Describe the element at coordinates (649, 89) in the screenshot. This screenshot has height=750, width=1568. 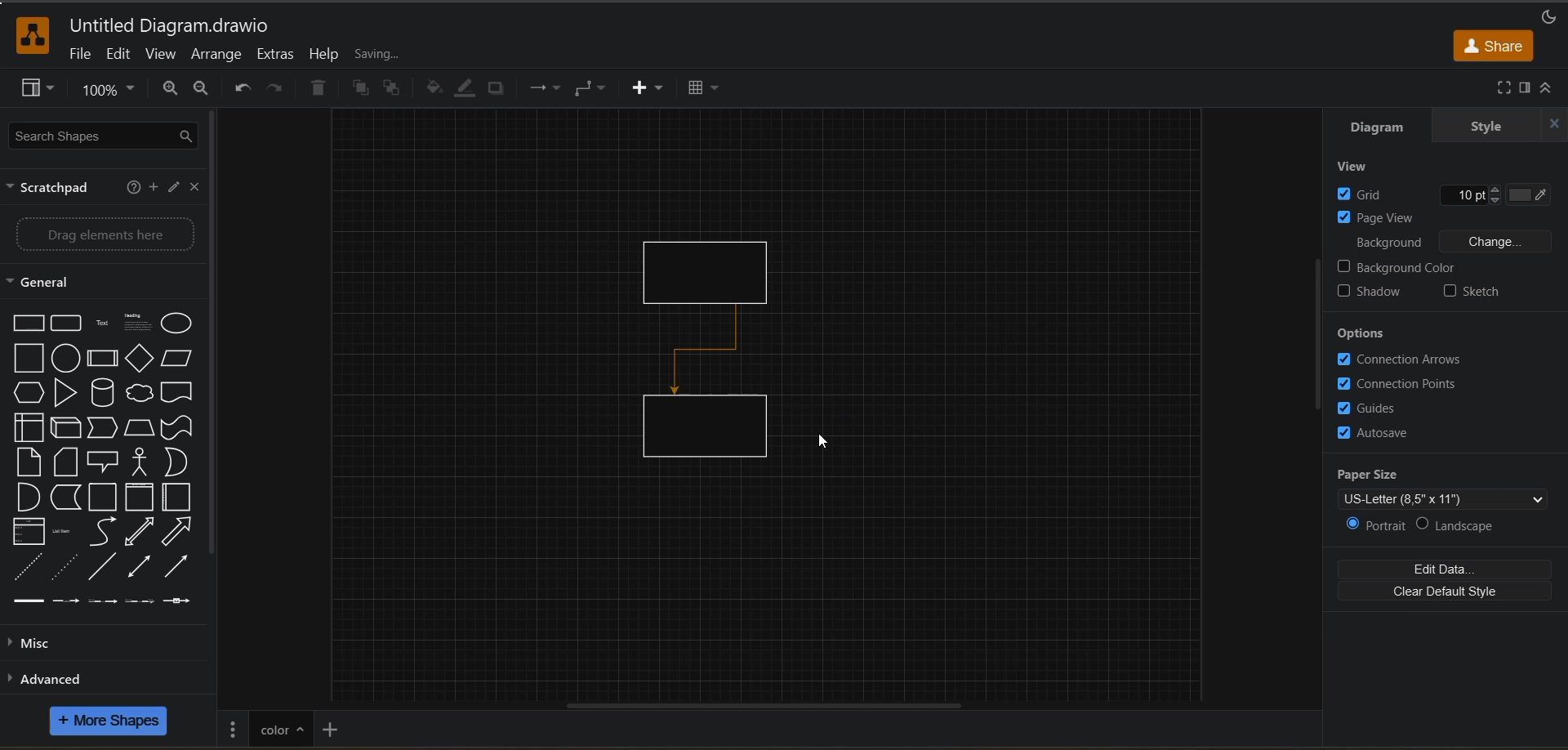
I see `insert` at that location.